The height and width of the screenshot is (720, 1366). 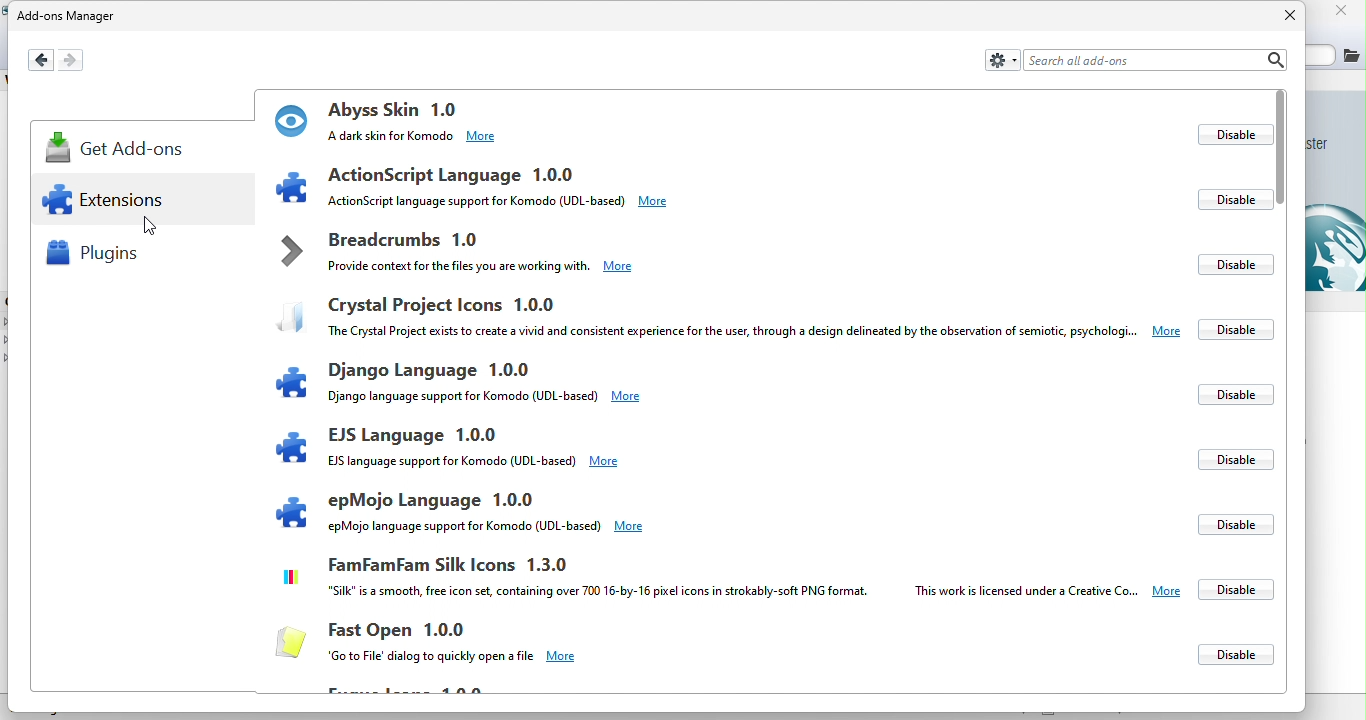 What do you see at coordinates (69, 17) in the screenshot?
I see `add ons manager` at bounding box center [69, 17].